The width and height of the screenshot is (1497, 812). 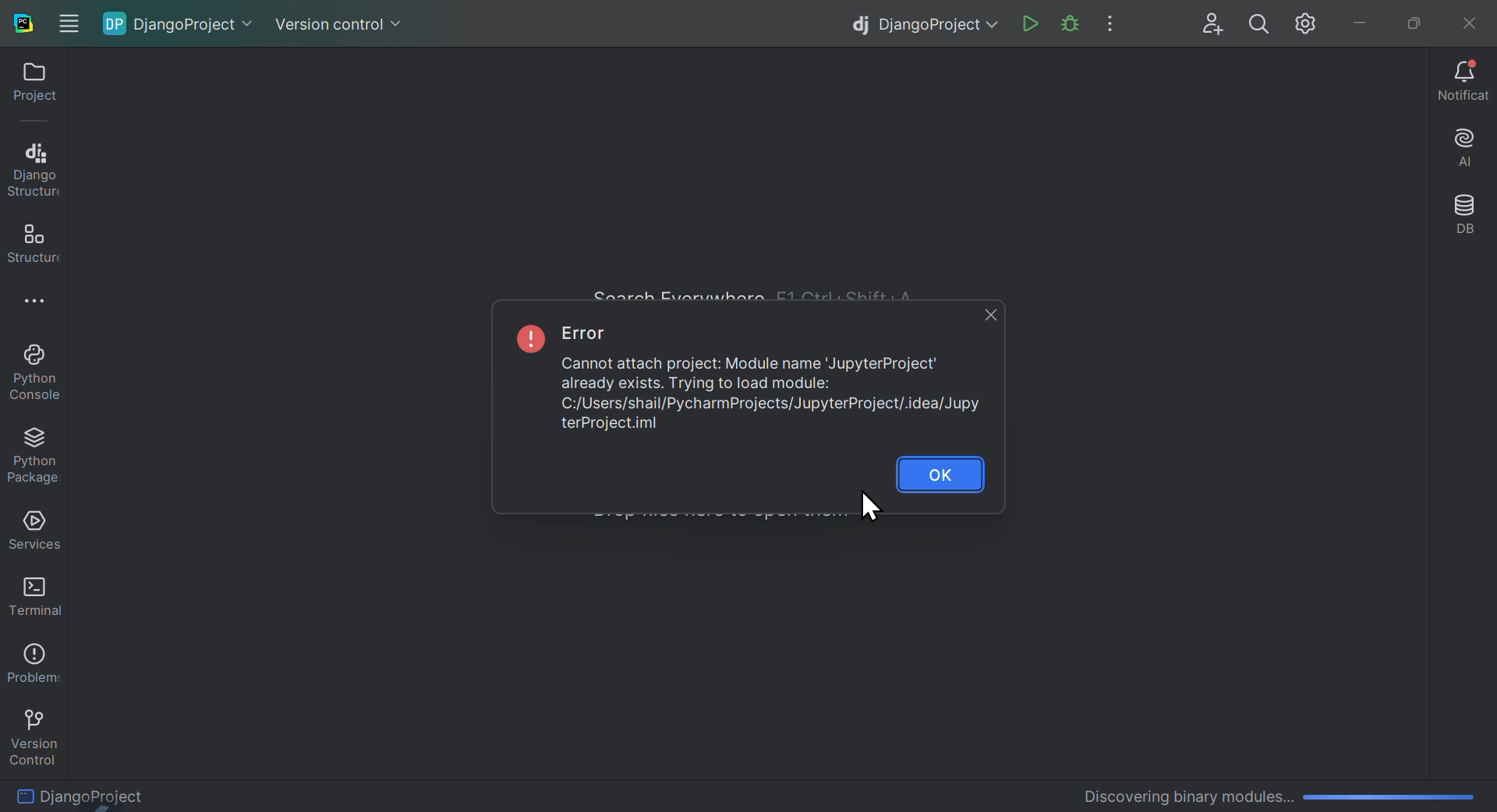 I want to click on Settings, so click(x=1309, y=24).